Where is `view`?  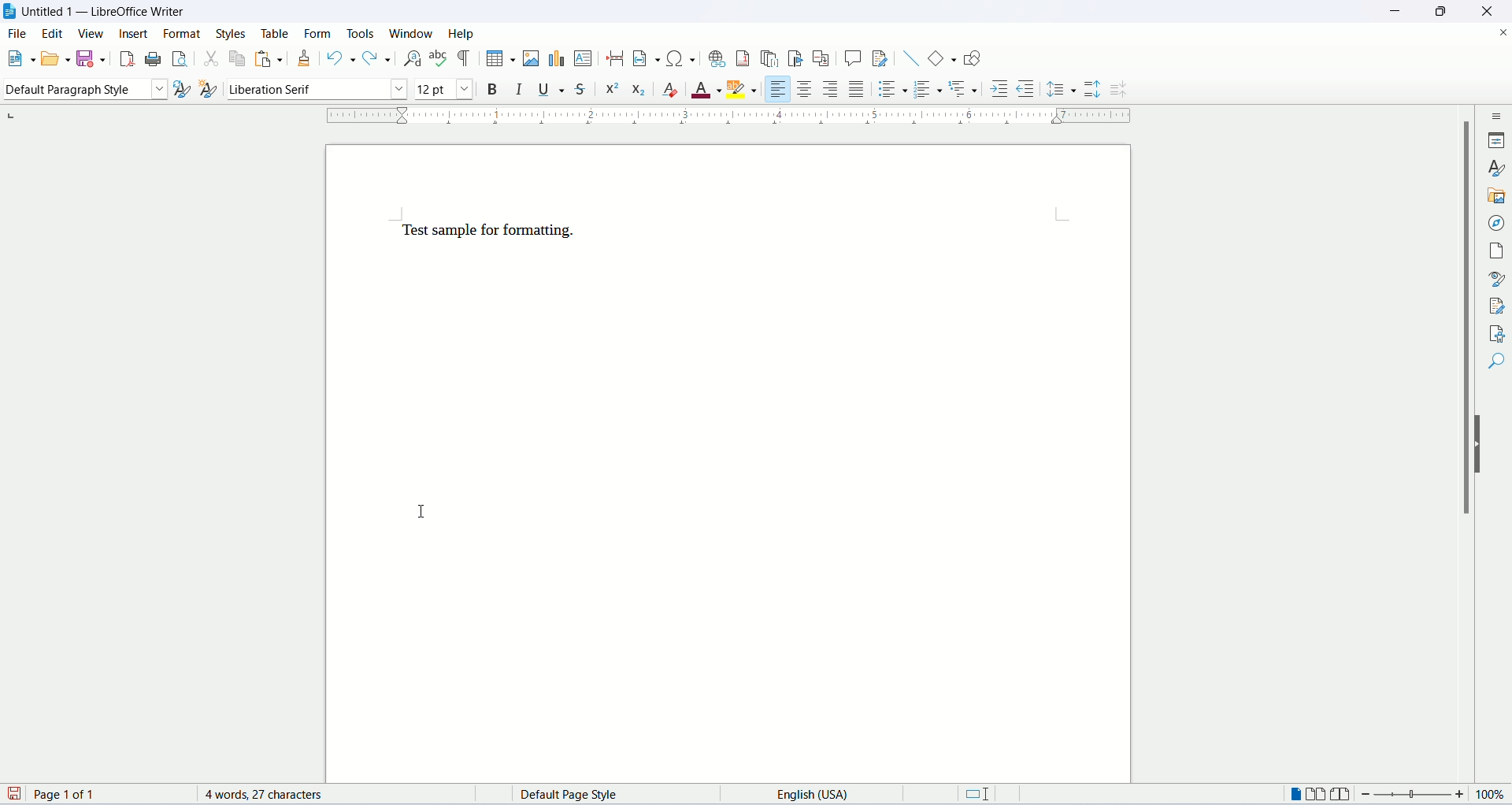 view is located at coordinates (92, 33).